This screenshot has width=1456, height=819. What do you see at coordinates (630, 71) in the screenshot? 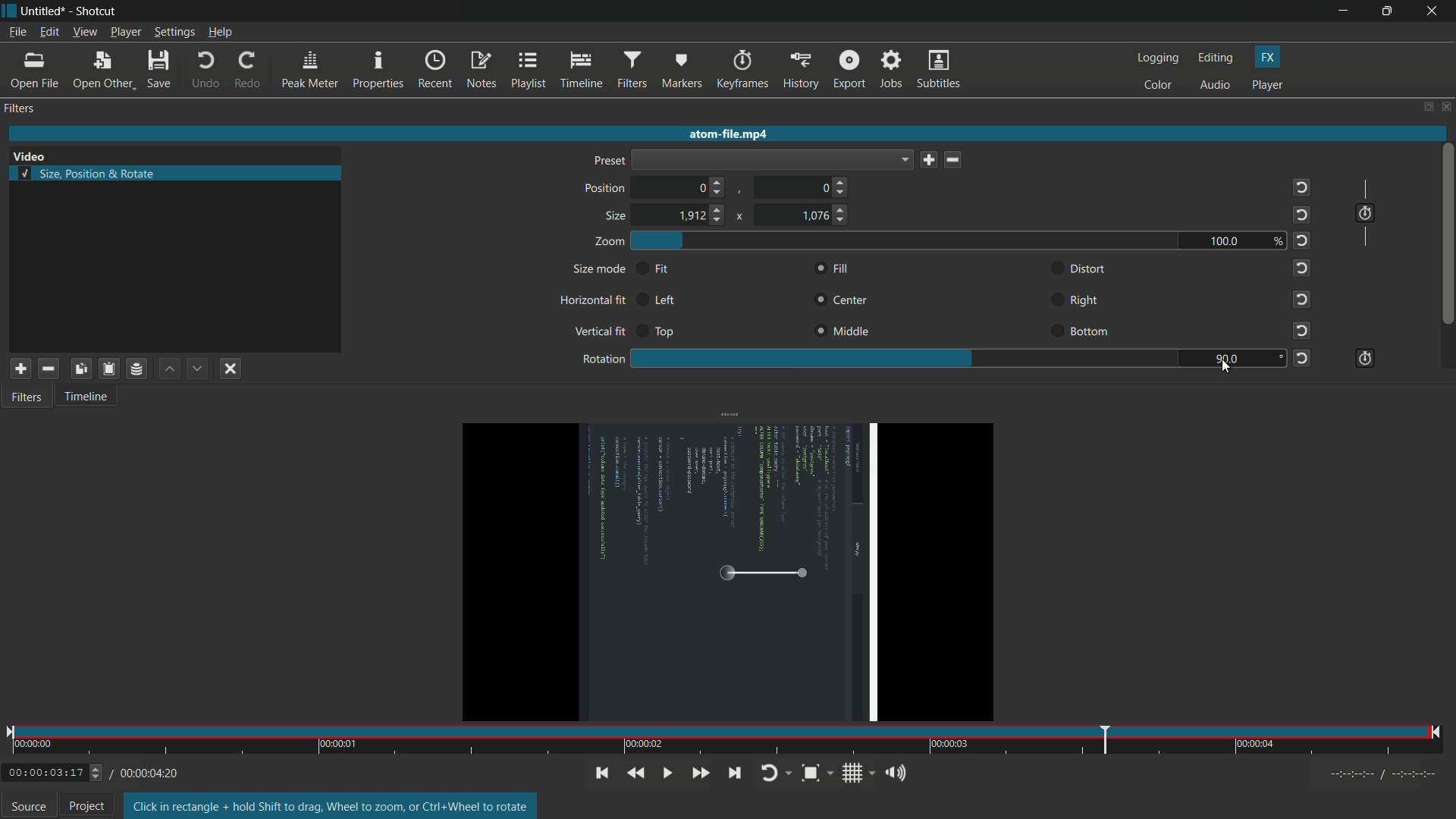
I see `filters` at bounding box center [630, 71].